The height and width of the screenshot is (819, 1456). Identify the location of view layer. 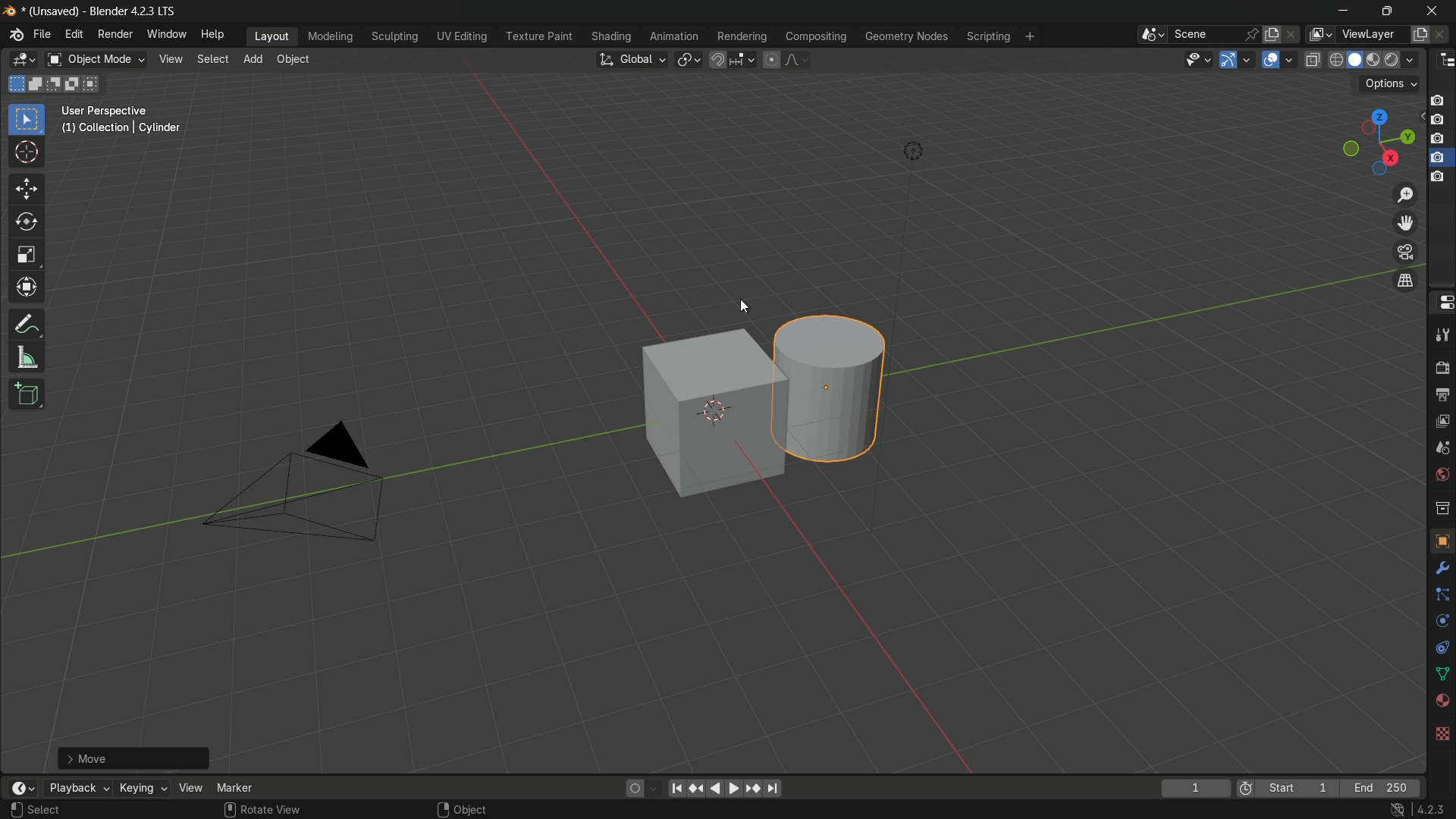
(1441, 421).